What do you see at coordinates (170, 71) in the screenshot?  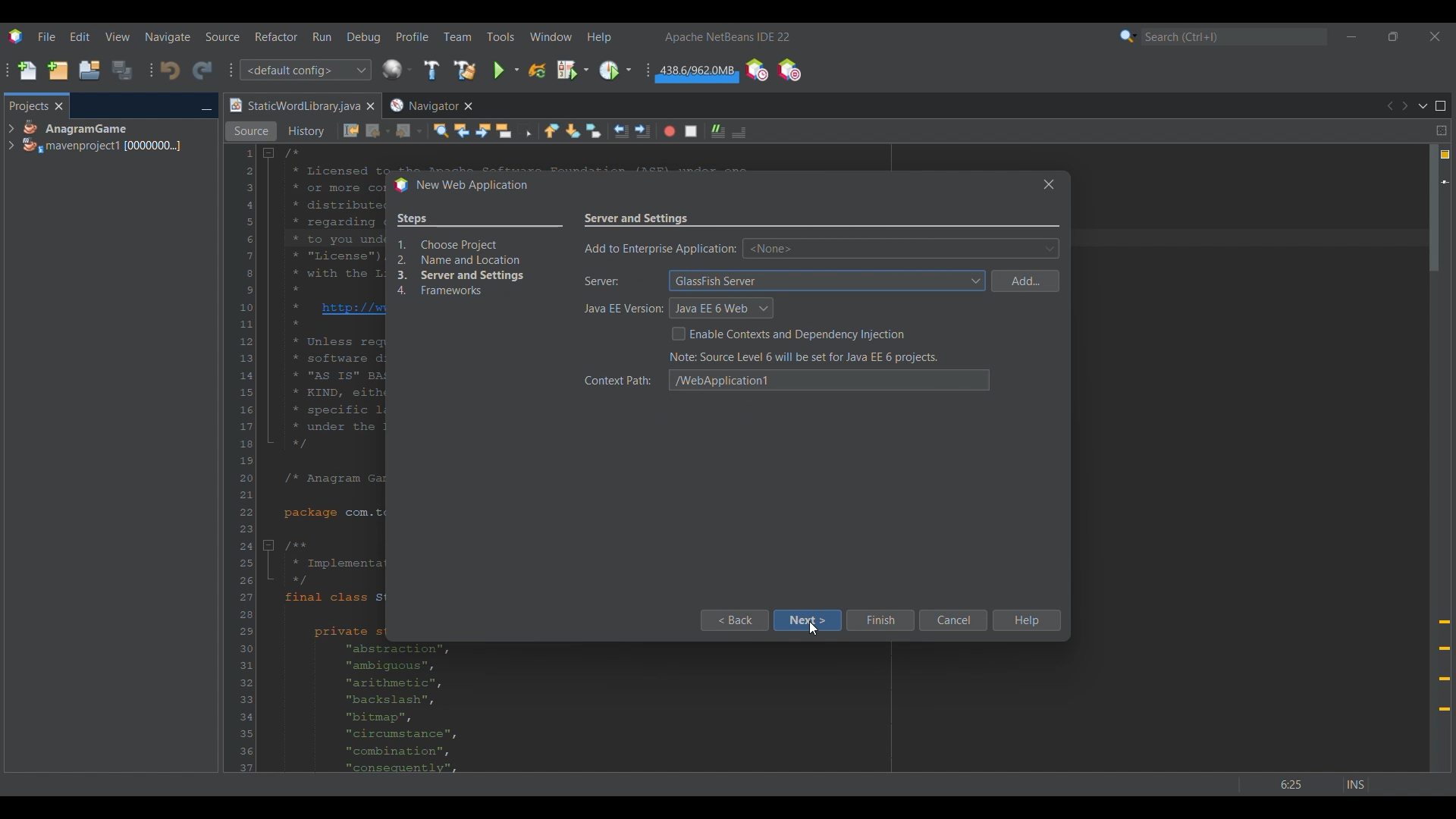 I see `Undo` at bounding box center [170, 71].